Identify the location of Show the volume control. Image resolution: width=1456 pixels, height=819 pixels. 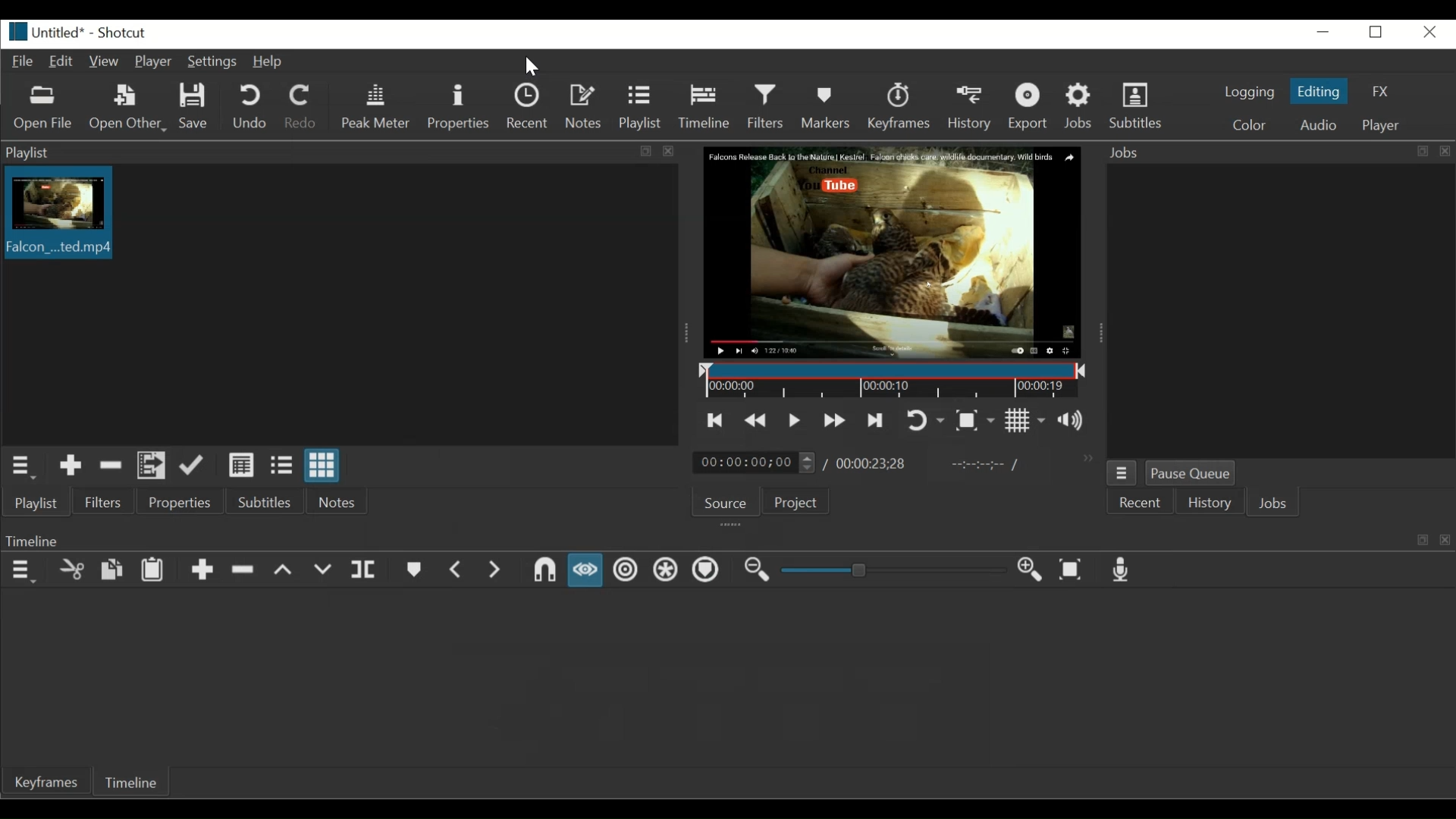
(1075, 420).